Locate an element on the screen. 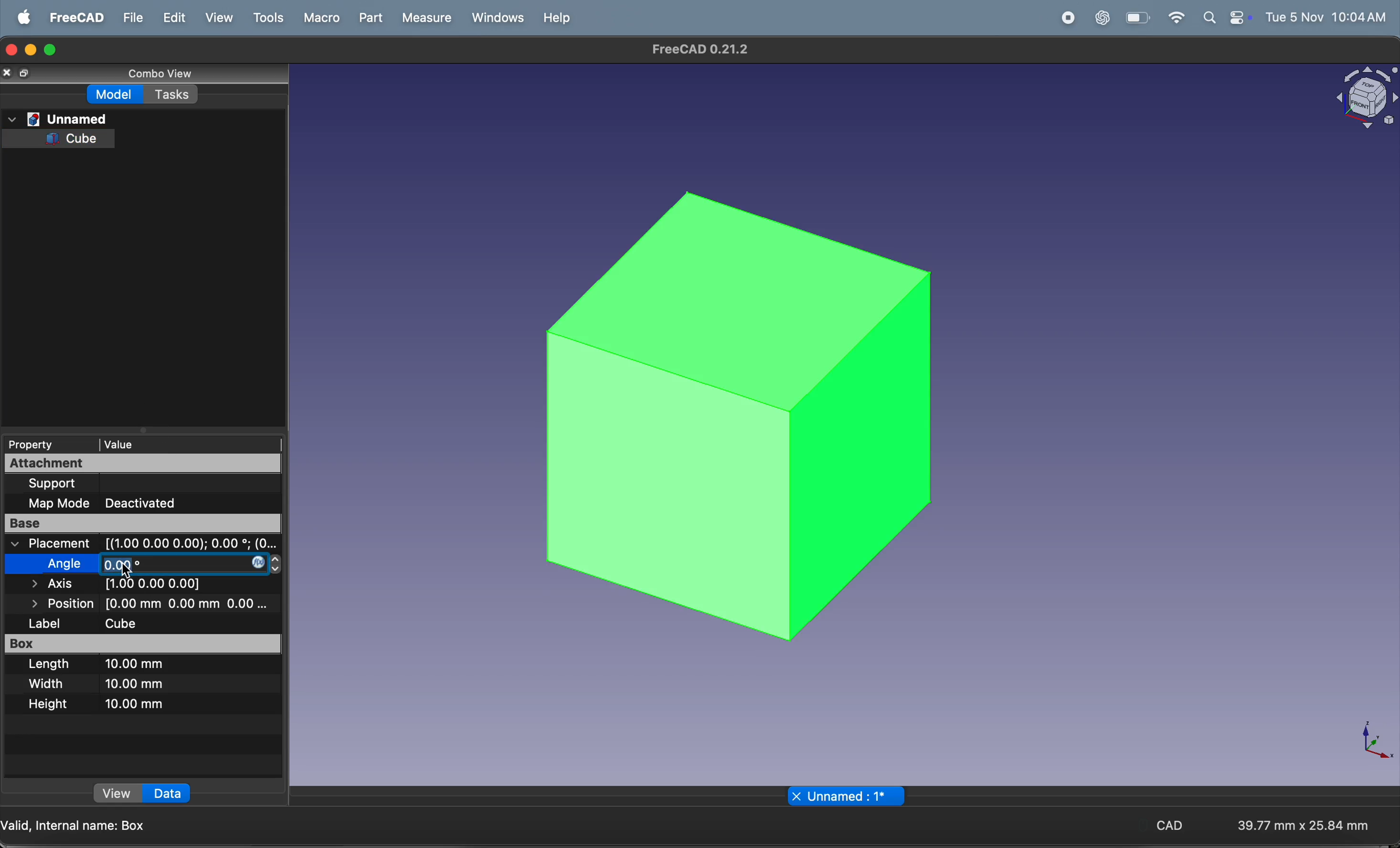 The height and width of the screenshot is (848, 1400). battery is located at coordinates (1238, 19).